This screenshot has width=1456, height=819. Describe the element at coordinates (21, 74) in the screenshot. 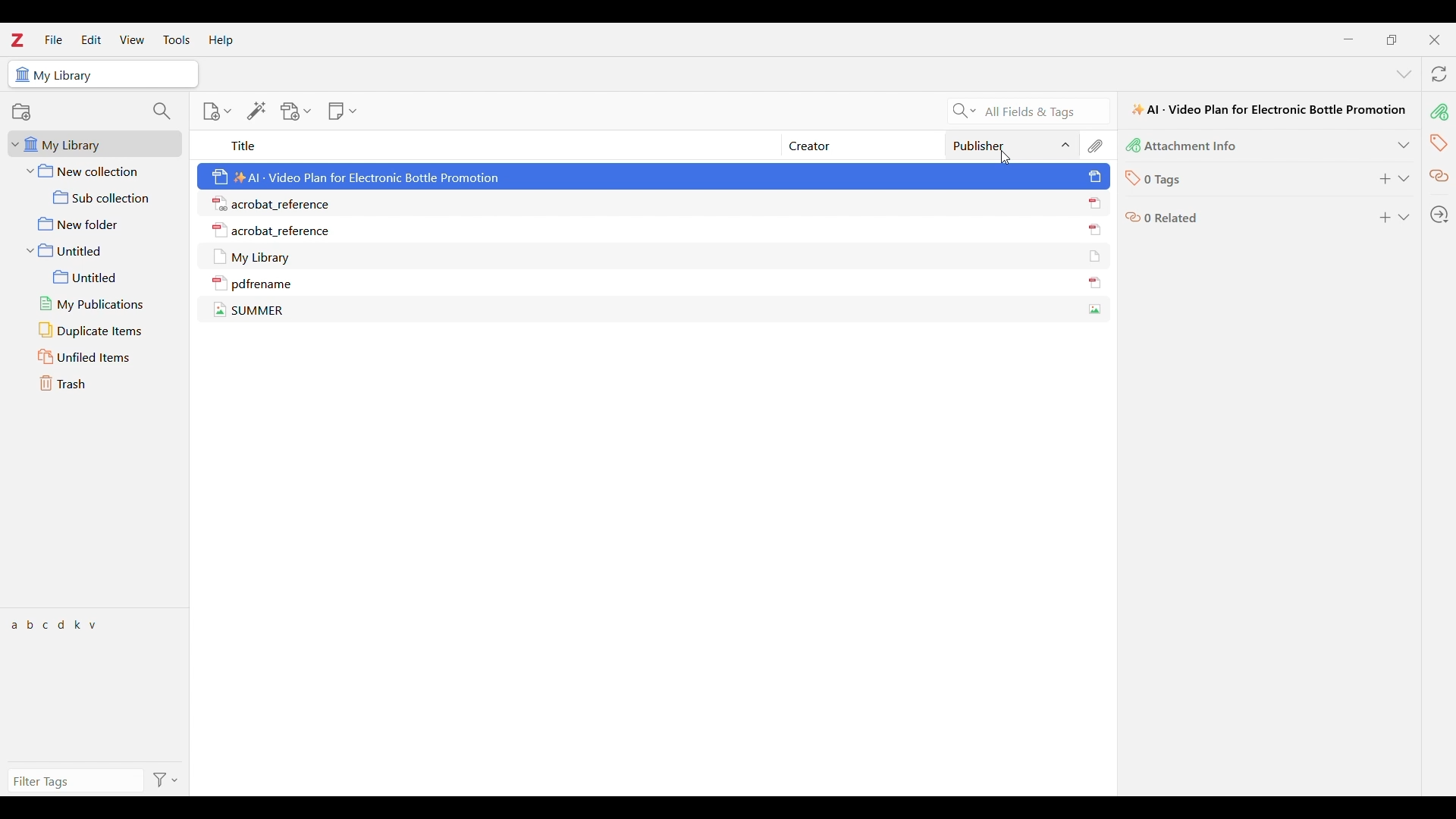

I see `icon` at that location.